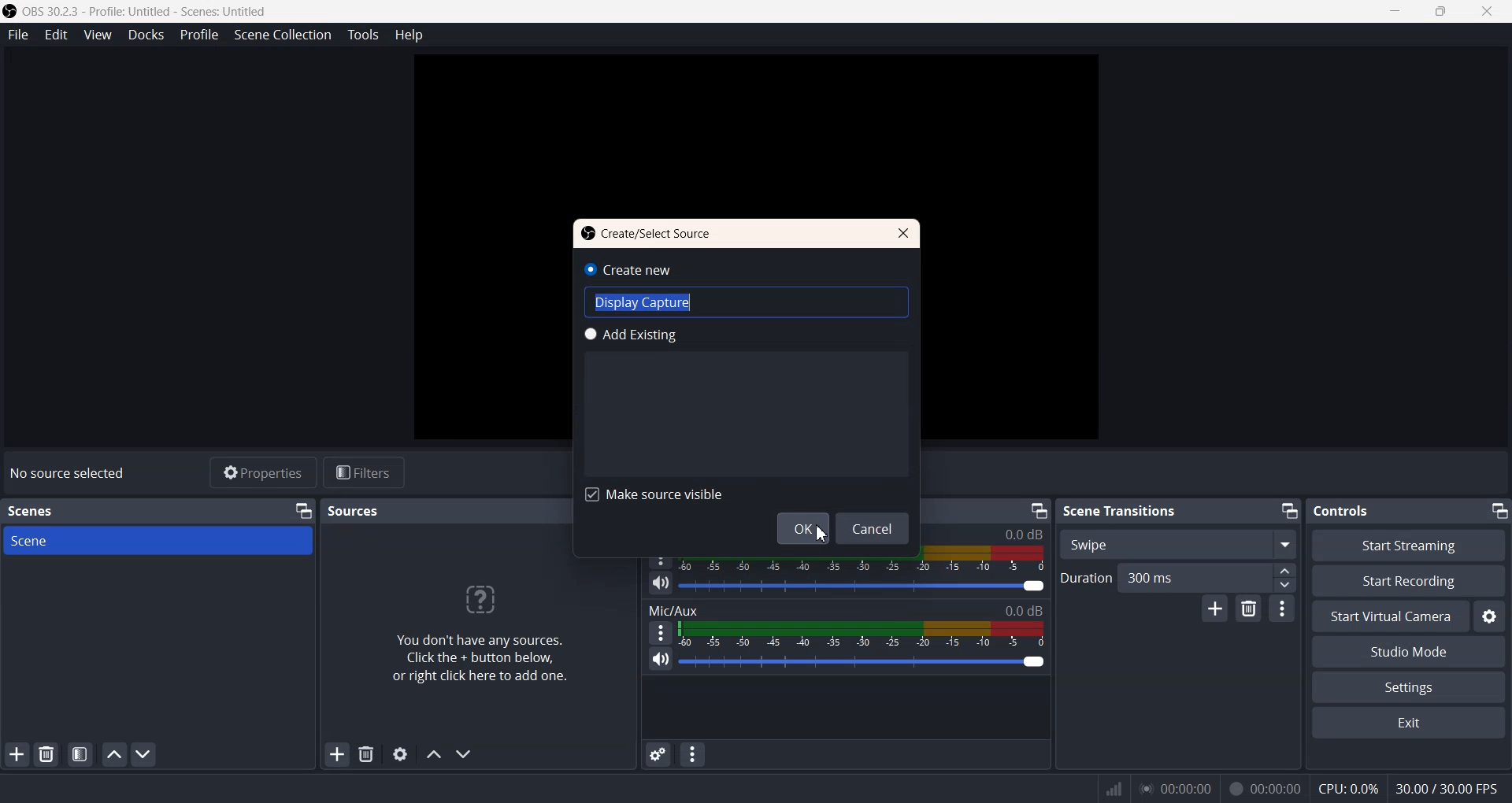  Describe the element at coordinates (650, 233) in the screenshot. I see `Text` at that location.